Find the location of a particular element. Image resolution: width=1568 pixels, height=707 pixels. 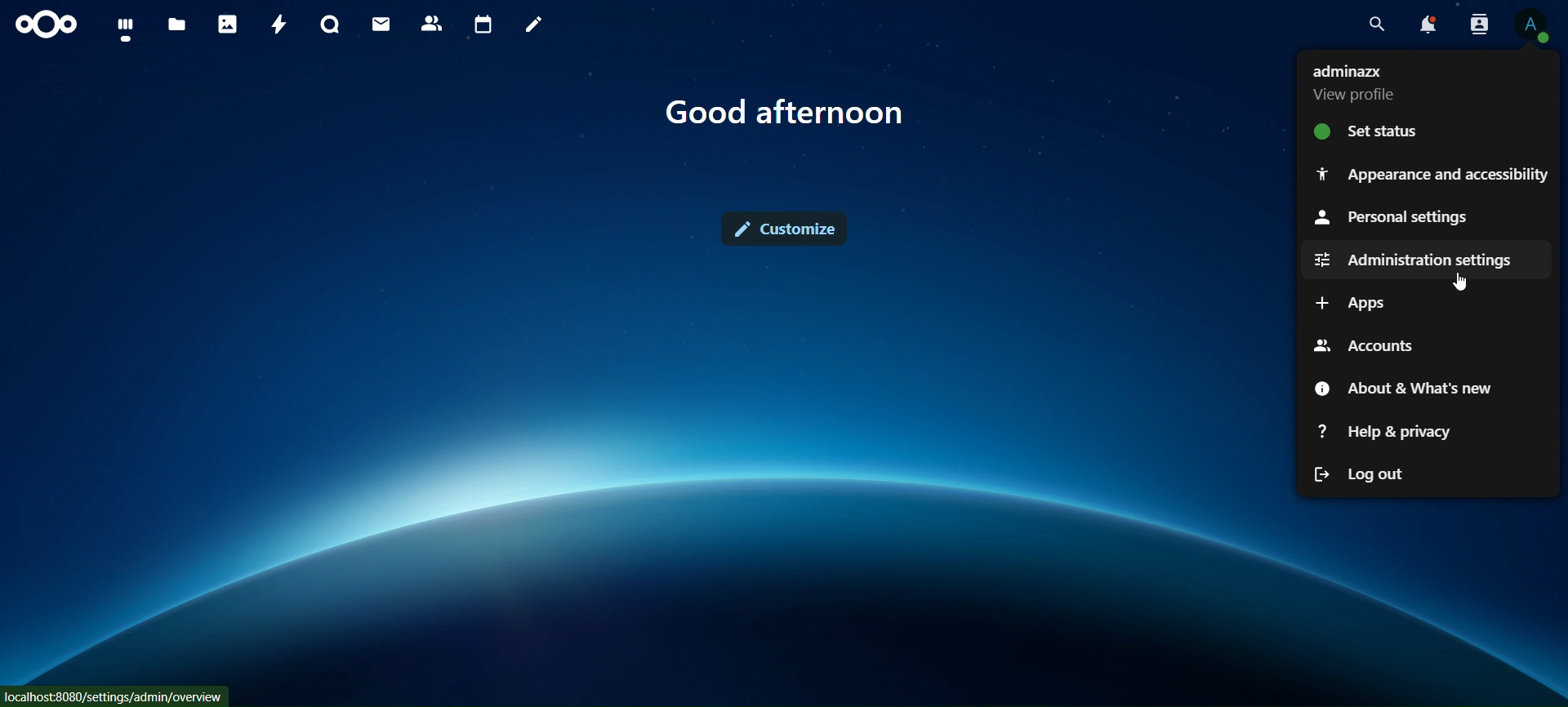

appearance and accessibility is located at coordinates (1432, 172).